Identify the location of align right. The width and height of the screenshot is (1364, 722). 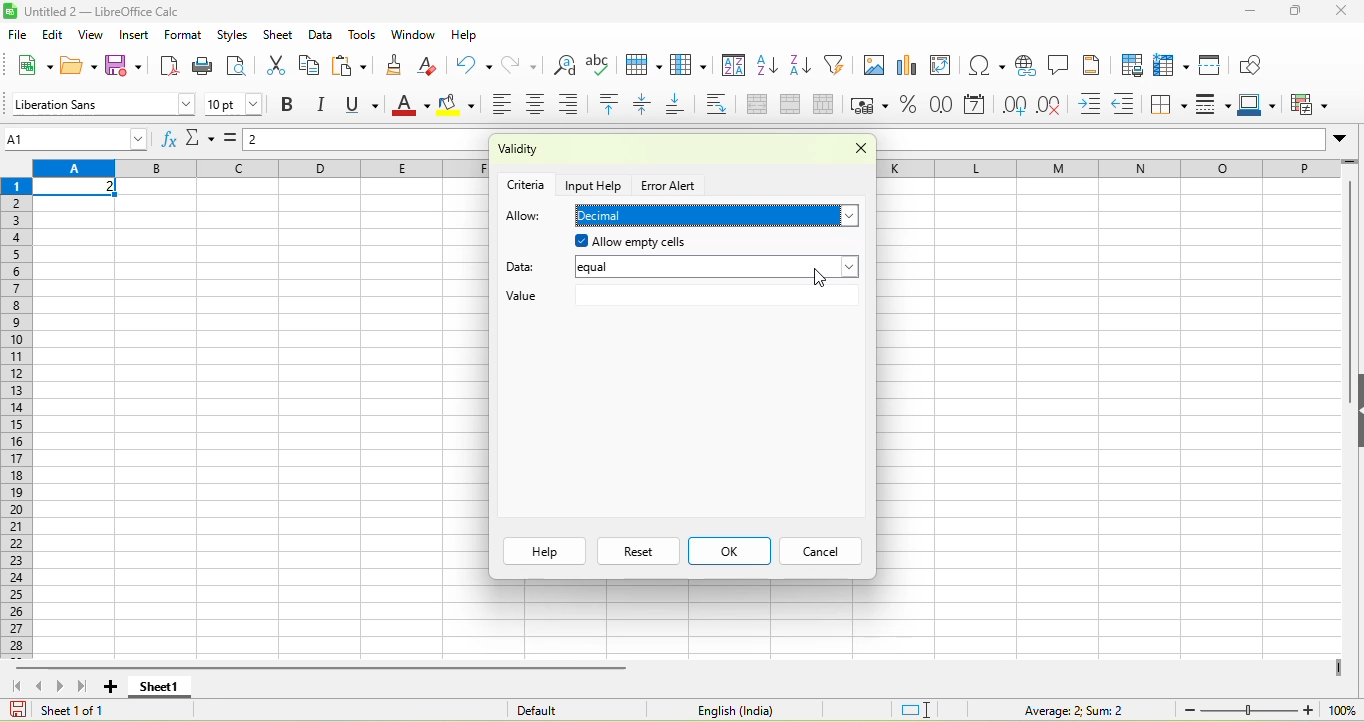
(575, 104).